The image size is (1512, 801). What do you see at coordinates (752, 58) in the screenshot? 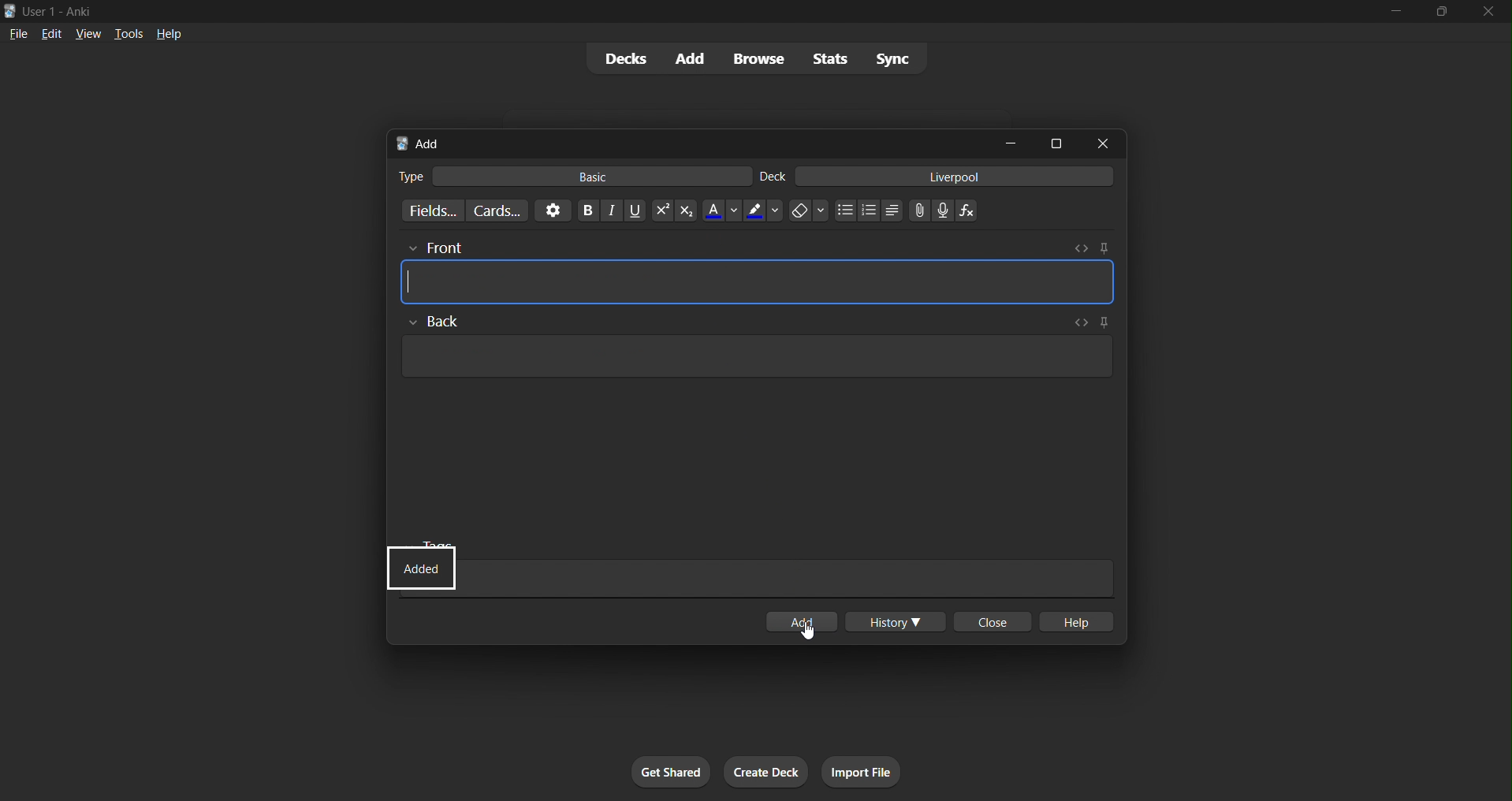
I see `browse` at bounding box center [752, 58].